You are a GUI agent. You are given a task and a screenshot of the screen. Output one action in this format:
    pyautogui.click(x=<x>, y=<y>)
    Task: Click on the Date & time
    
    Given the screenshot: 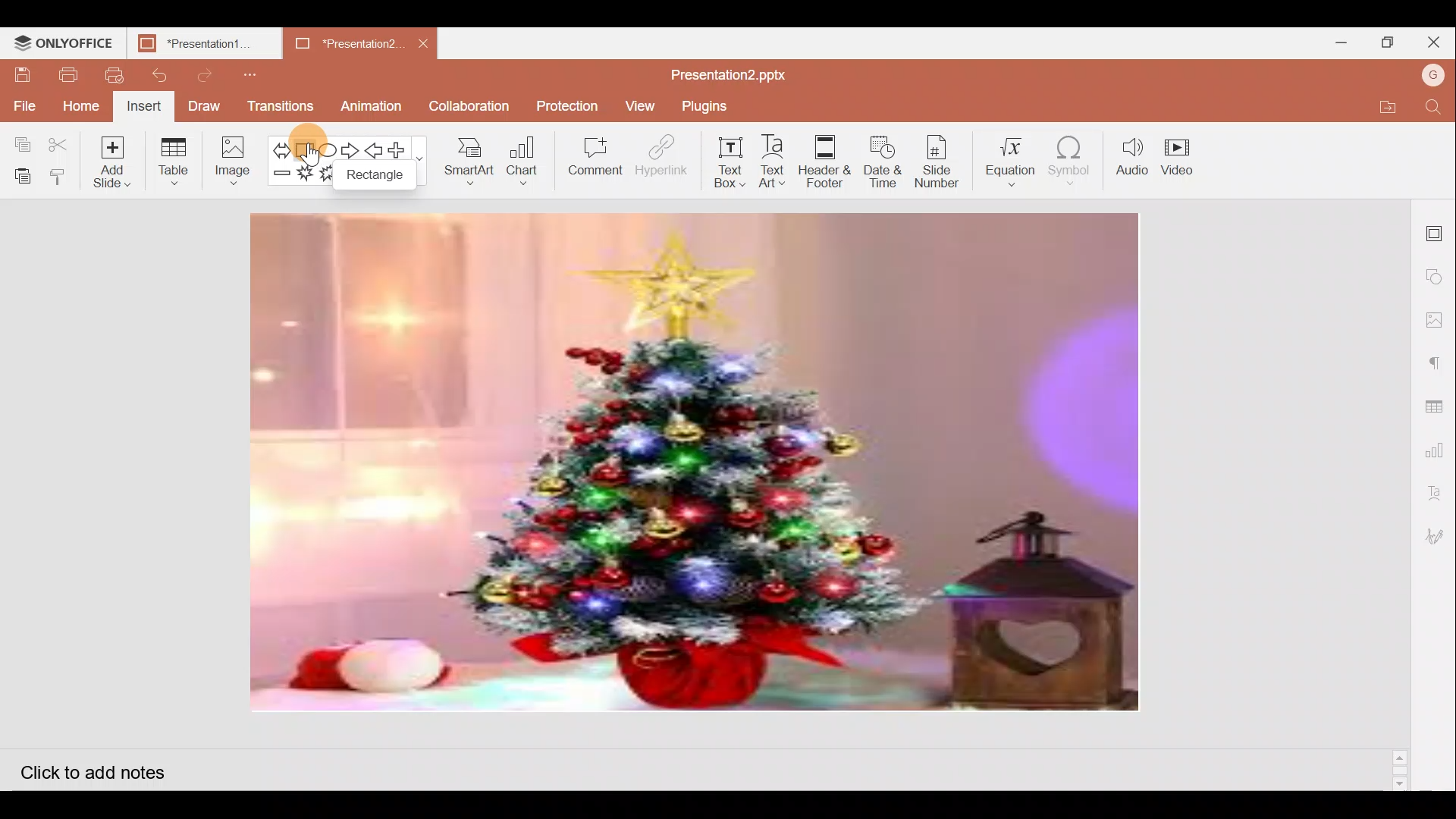 What is the action you would take?
    pyautogui.click(x=883, y=161)
    